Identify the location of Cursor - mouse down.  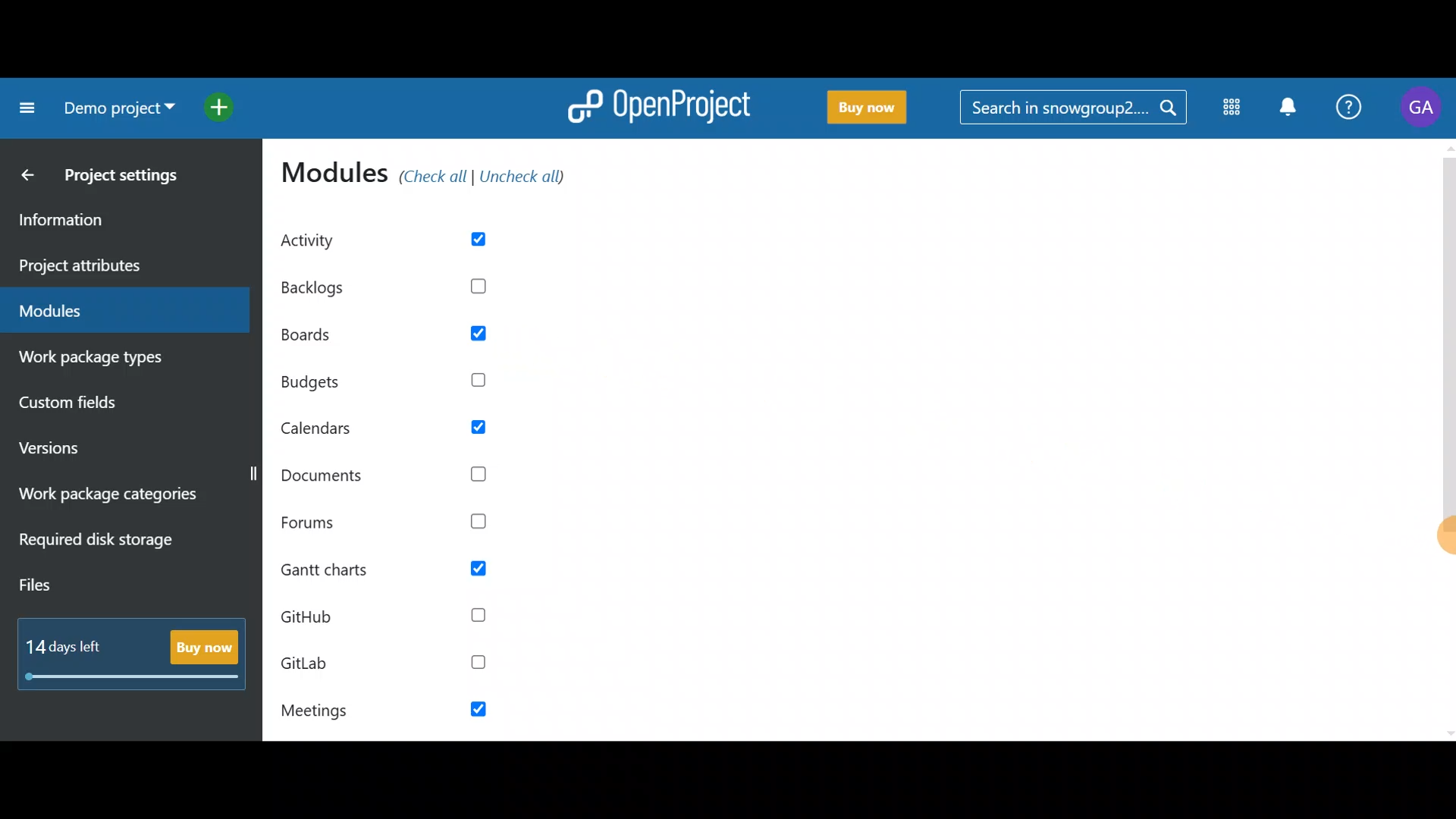
(1439, 548).